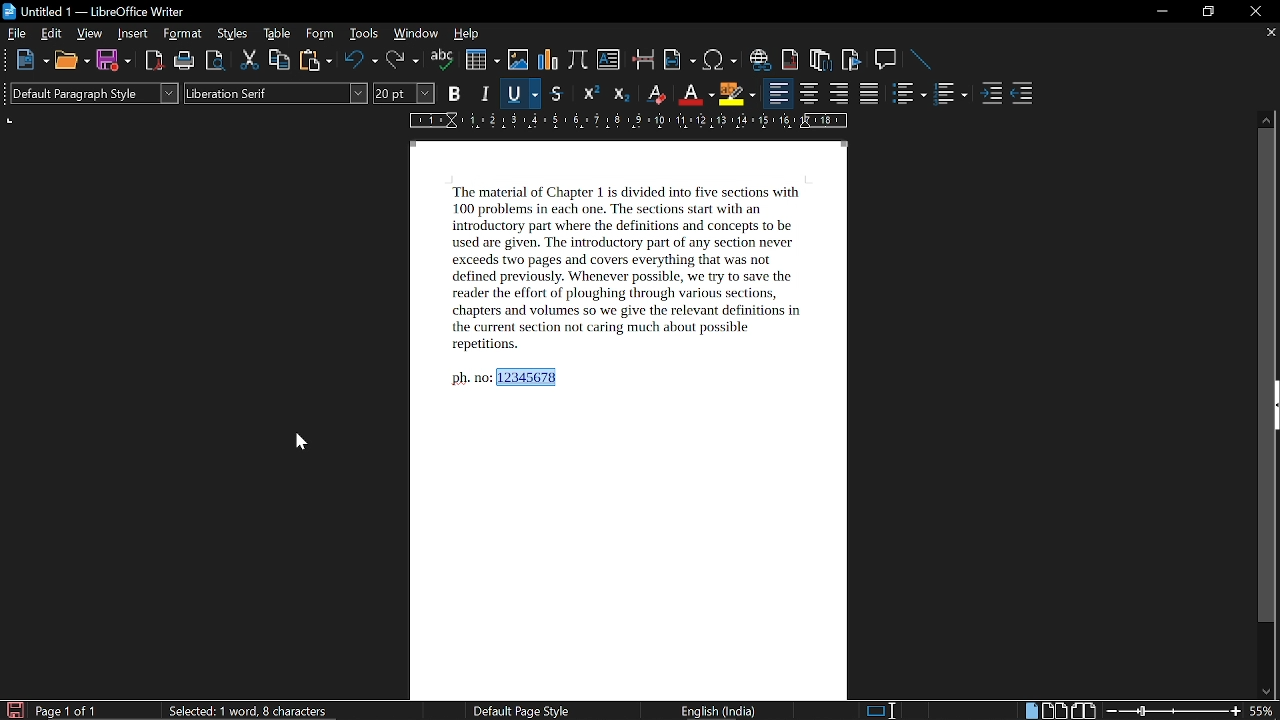  What do you see at coordinates (522, 711) in the screenshot?
I see `Default page style` at bounding box center [522, 711].